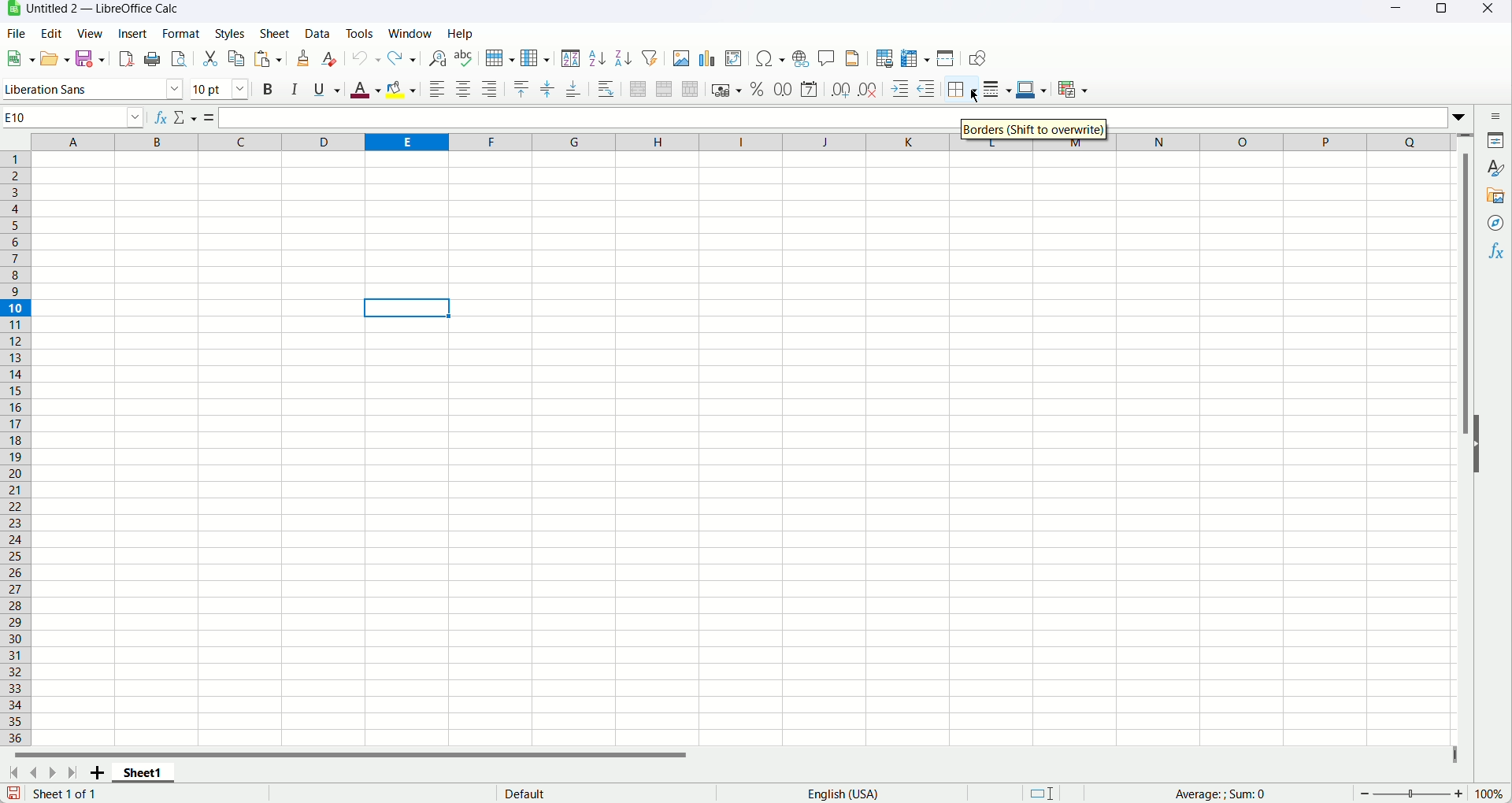 The image size is (1512, 803). What do you see at coordinates (925, 89) in the screenshot?
I see `Decrease indent` at bounding box center [925, 89].